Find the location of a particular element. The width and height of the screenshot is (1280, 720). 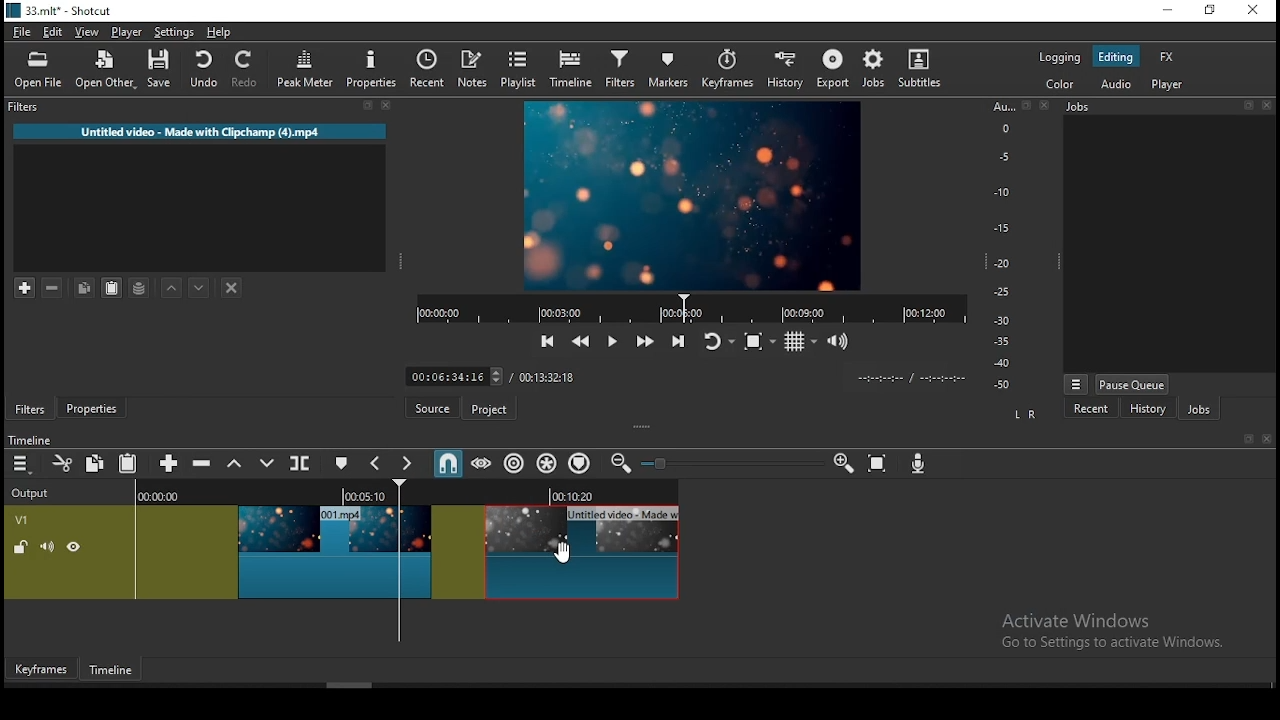

Jobs is located at coordinates (1086, 110).